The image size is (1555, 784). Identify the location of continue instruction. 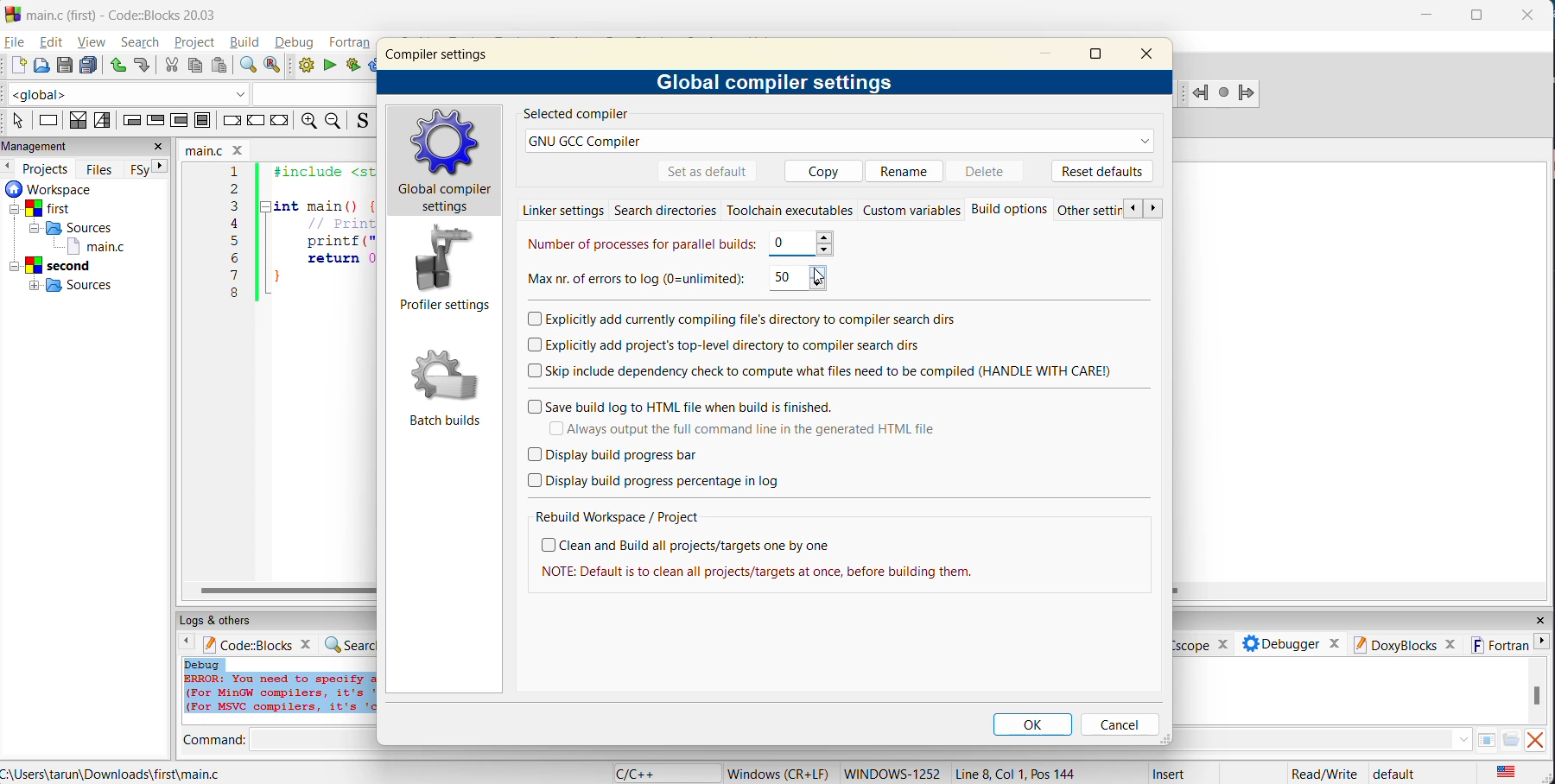
(254, 121).